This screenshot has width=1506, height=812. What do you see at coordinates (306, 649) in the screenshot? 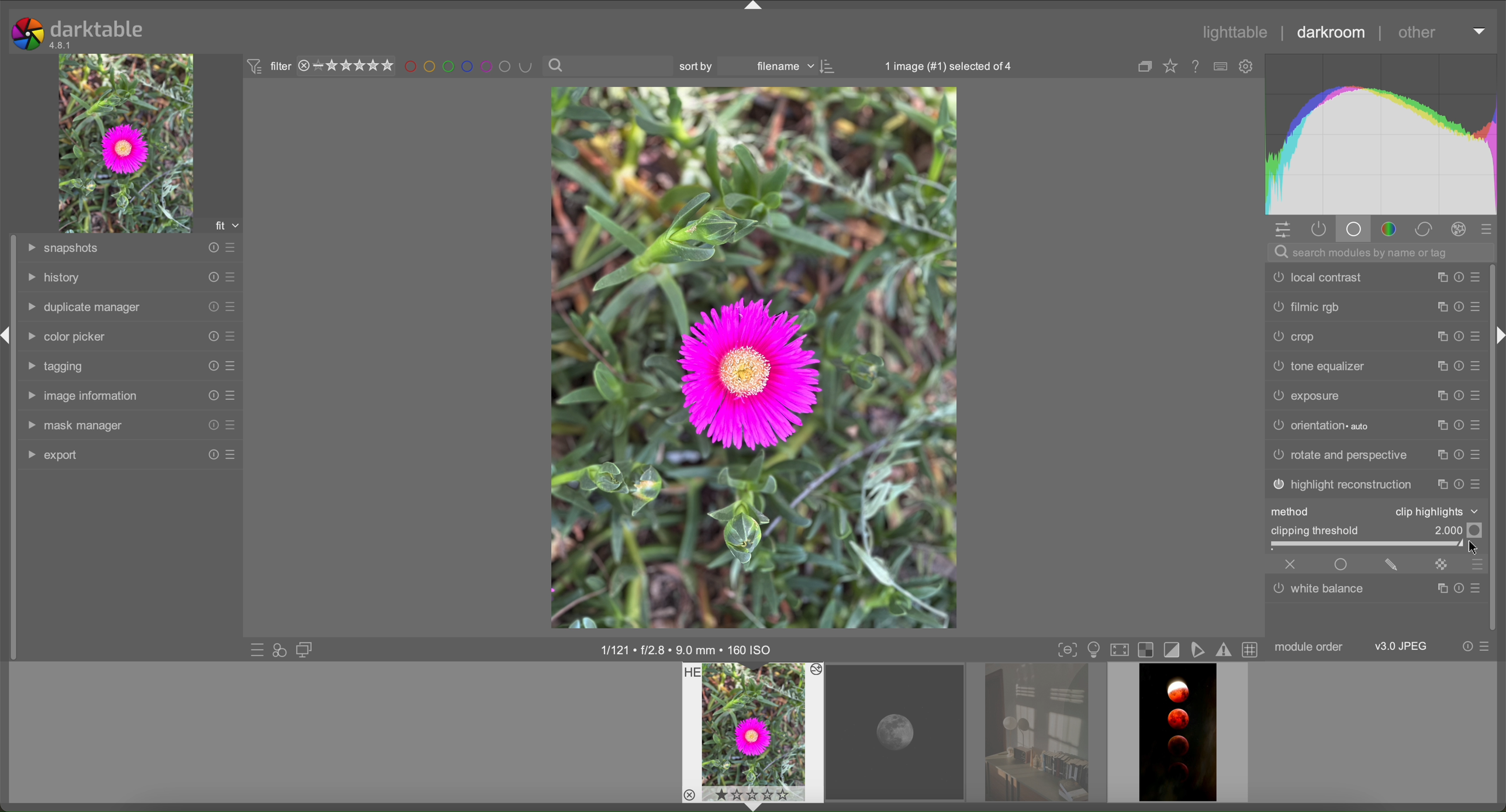
I see `display a second darkroom image window` at bounding box center [306, 649].